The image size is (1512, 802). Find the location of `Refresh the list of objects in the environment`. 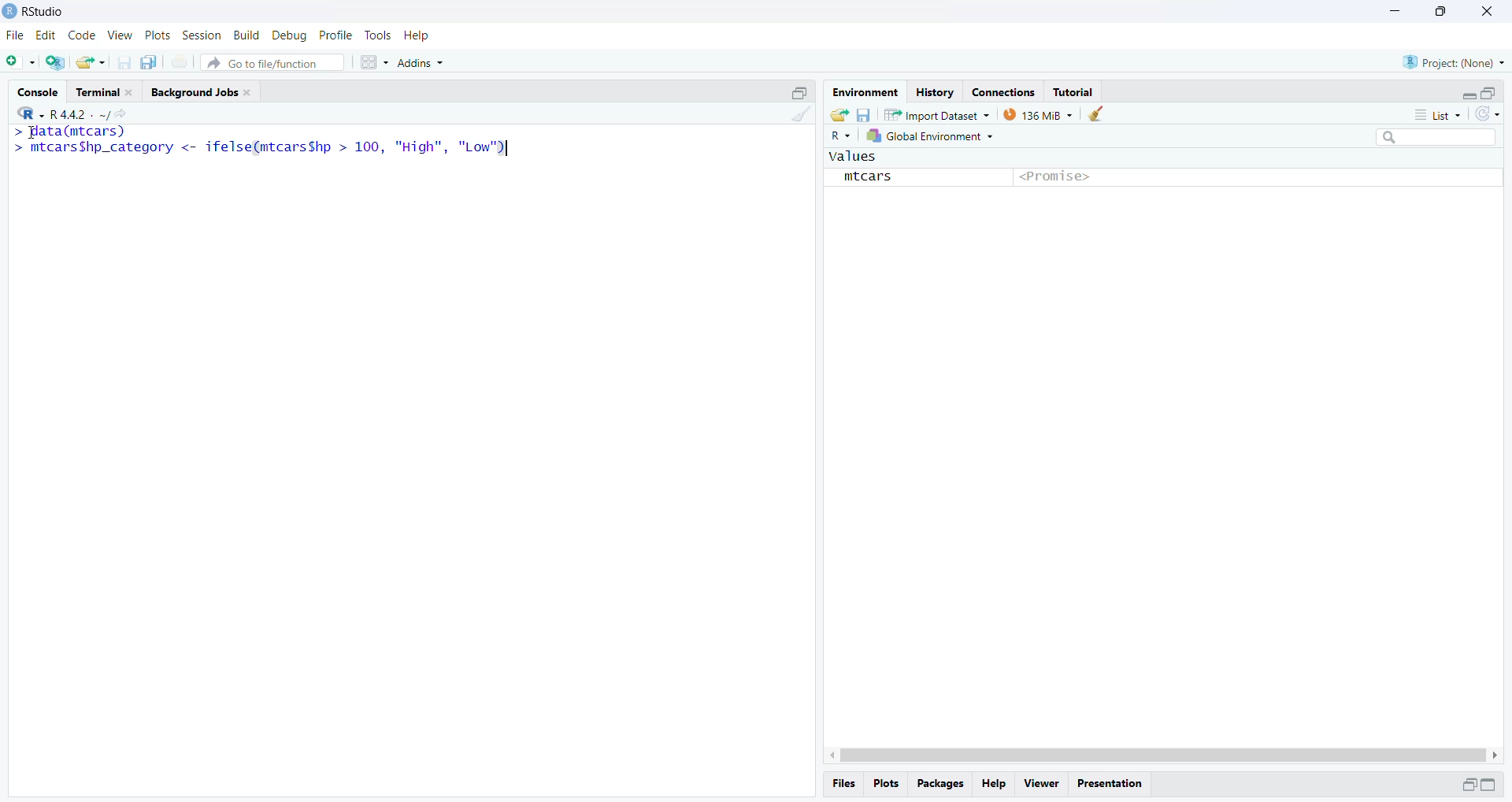

Refresh the list of objects in the environment is located at coordinates (1488, 115).